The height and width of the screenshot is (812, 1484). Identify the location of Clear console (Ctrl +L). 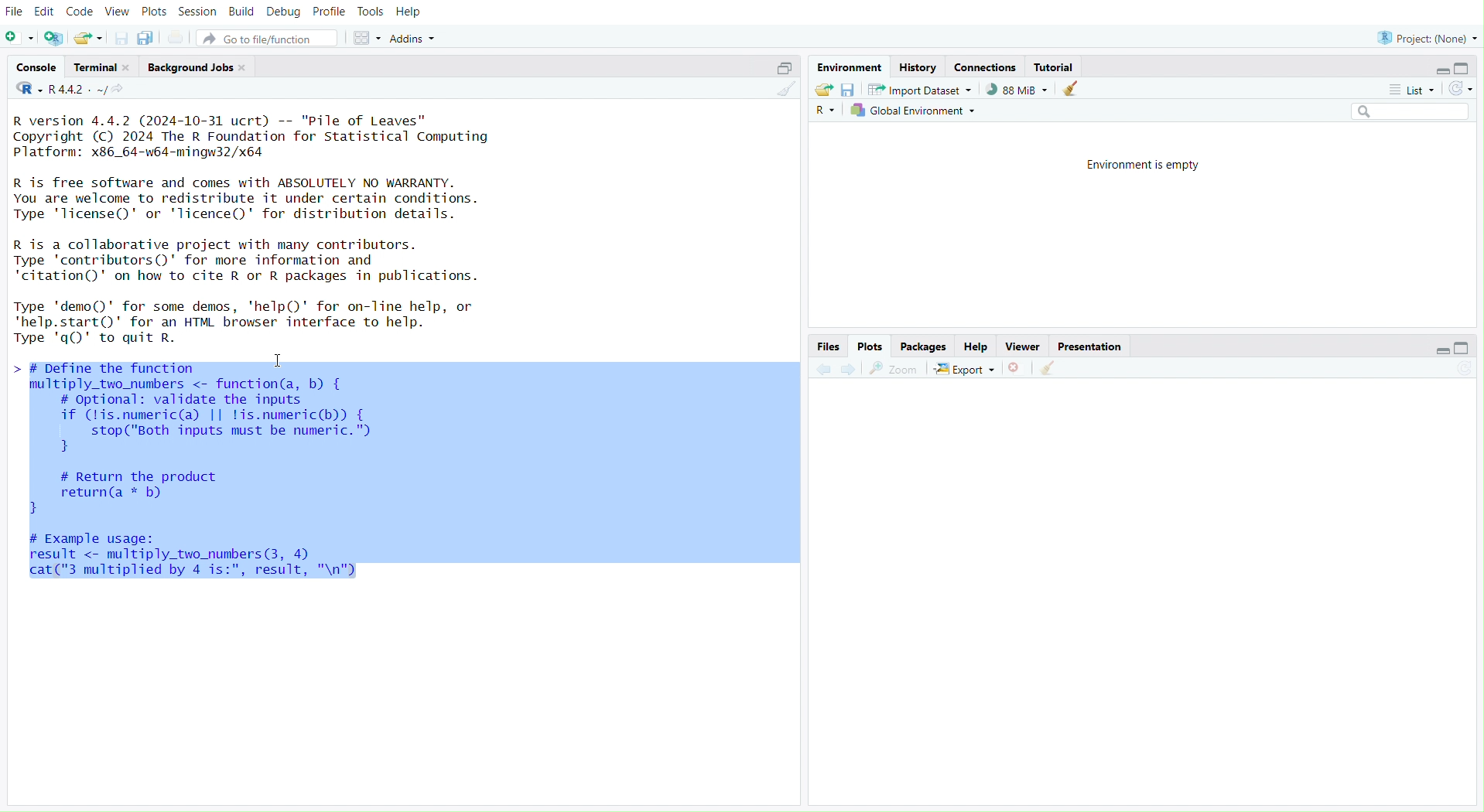
(1054, 367).